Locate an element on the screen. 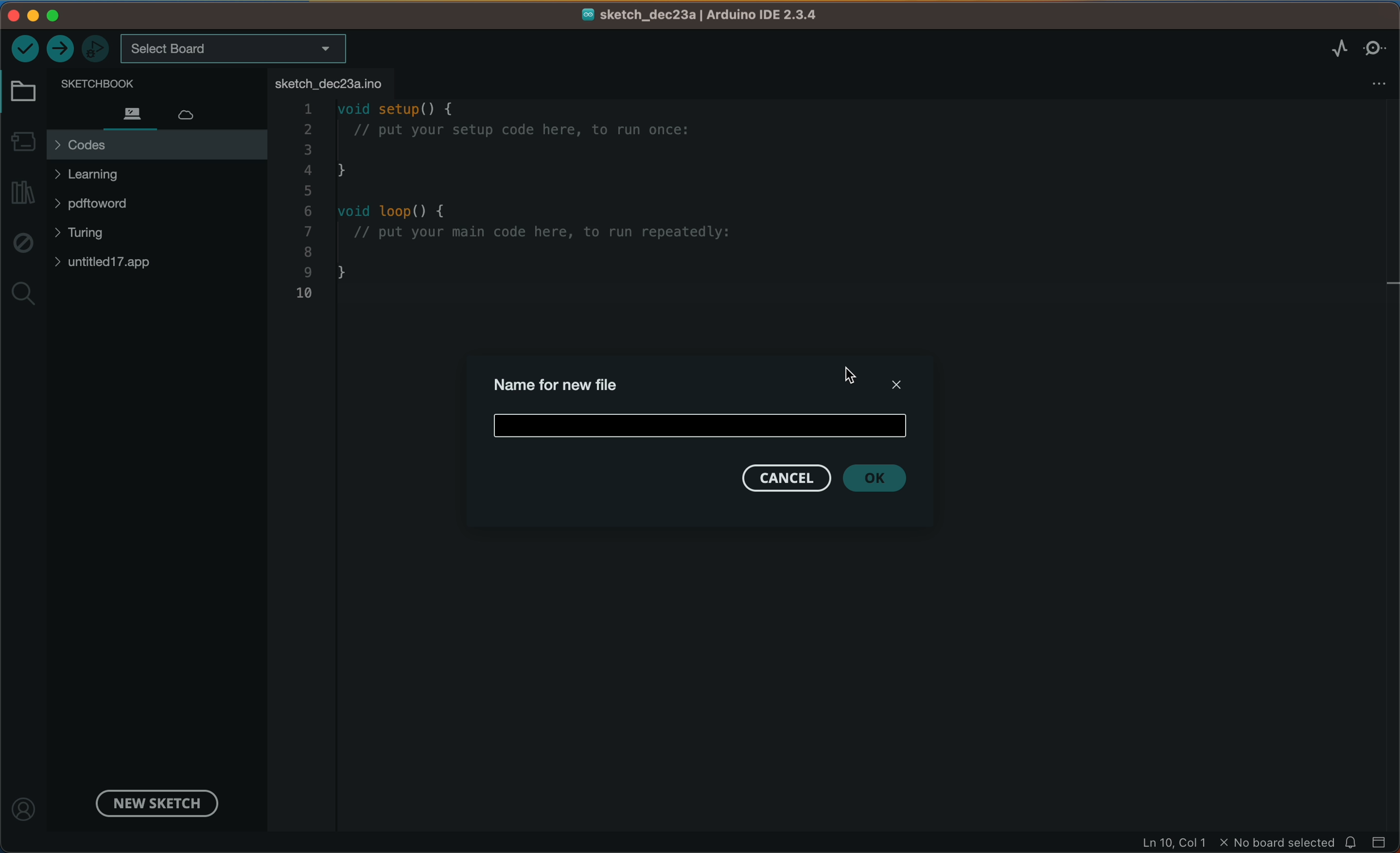  upload is located at coordinates (61, 49).